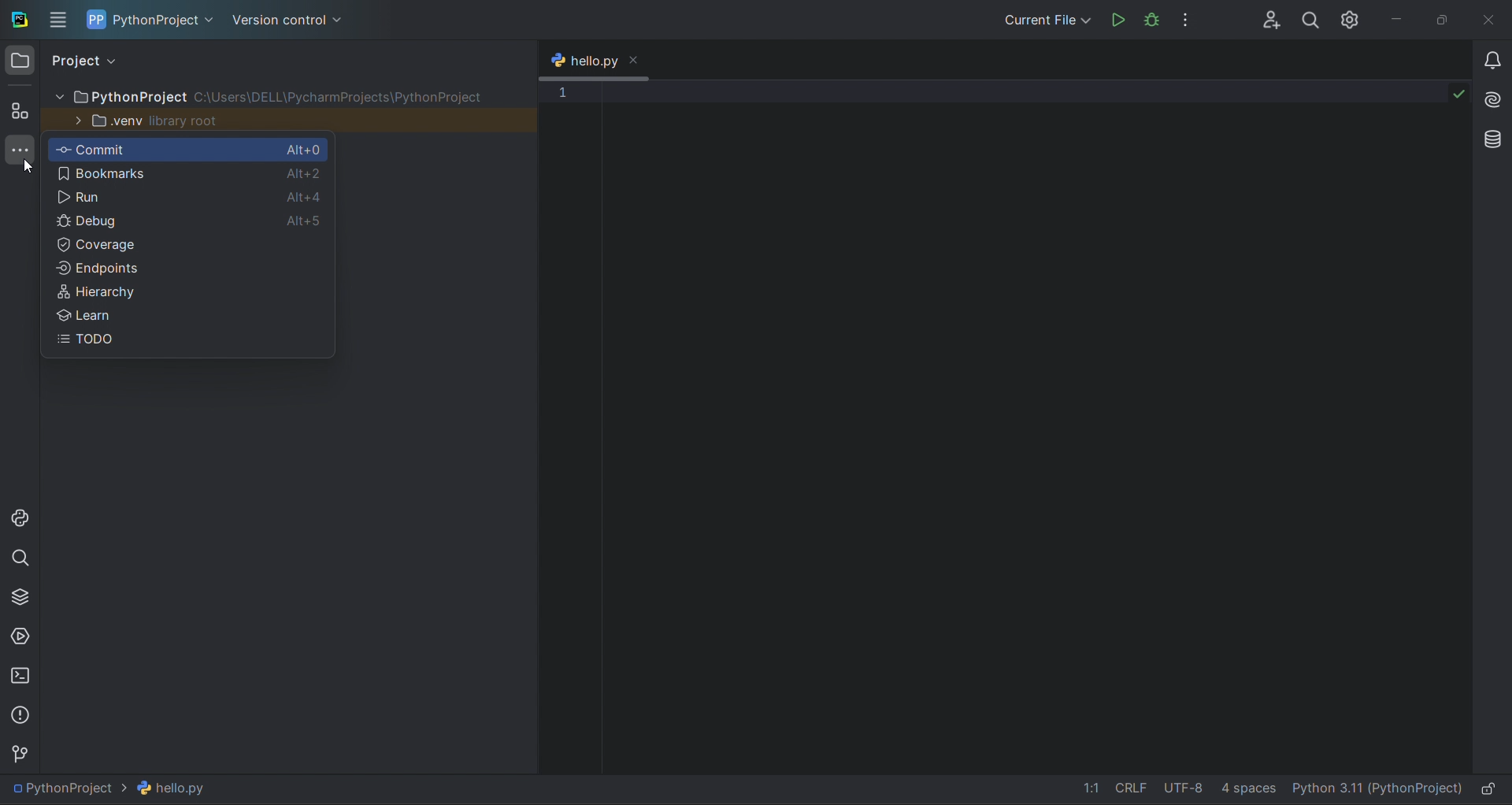 This screenshot has height=805, width=1512. Describe the element at coordinates (1493, 19) in the screenshot. I see `close` at that location.